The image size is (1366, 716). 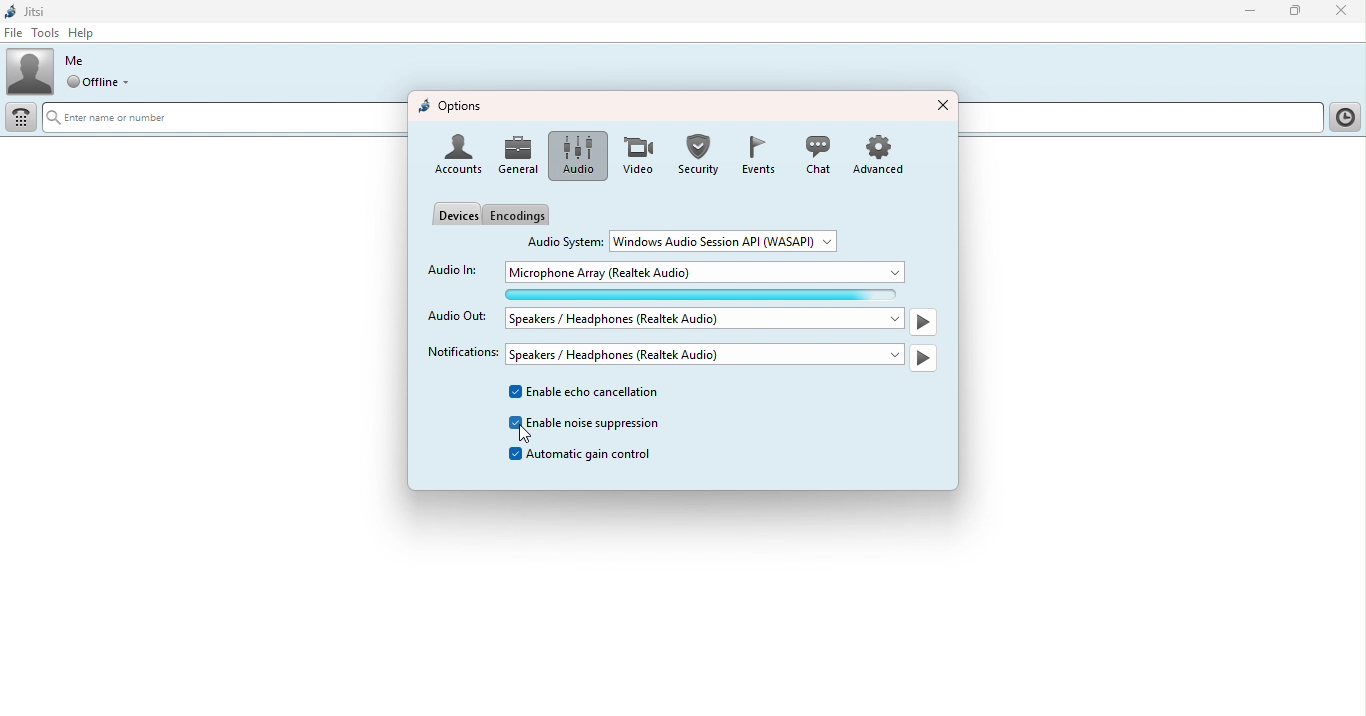 What do you see at coordinates (634, 156) in the screenshot?
I see `Video` at bounding box center [634, 156].